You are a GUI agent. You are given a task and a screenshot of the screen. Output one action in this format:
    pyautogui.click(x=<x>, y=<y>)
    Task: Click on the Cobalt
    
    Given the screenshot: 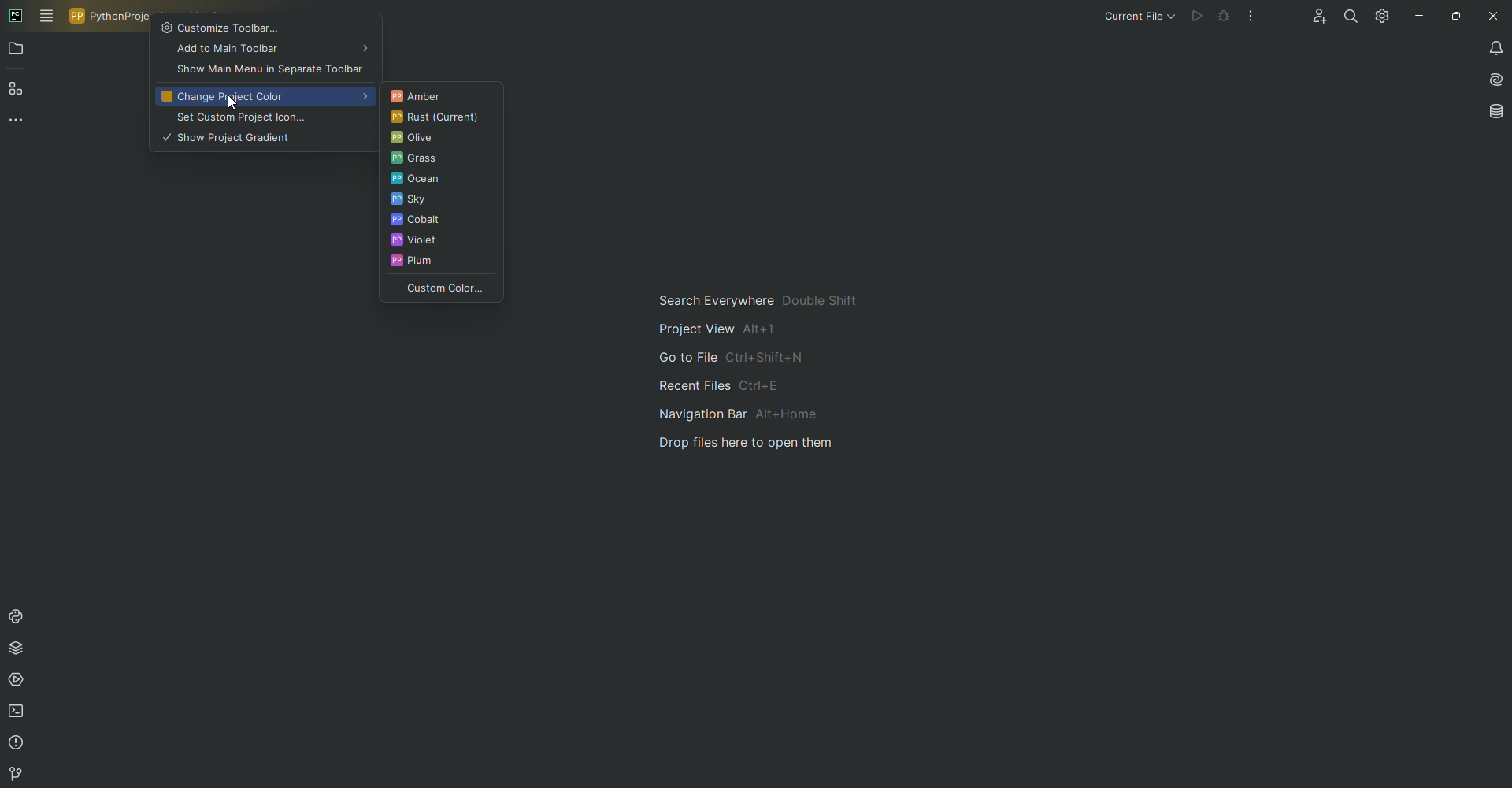 What is the action you would take?
    pyautogui.click(x=440, y=221)
    